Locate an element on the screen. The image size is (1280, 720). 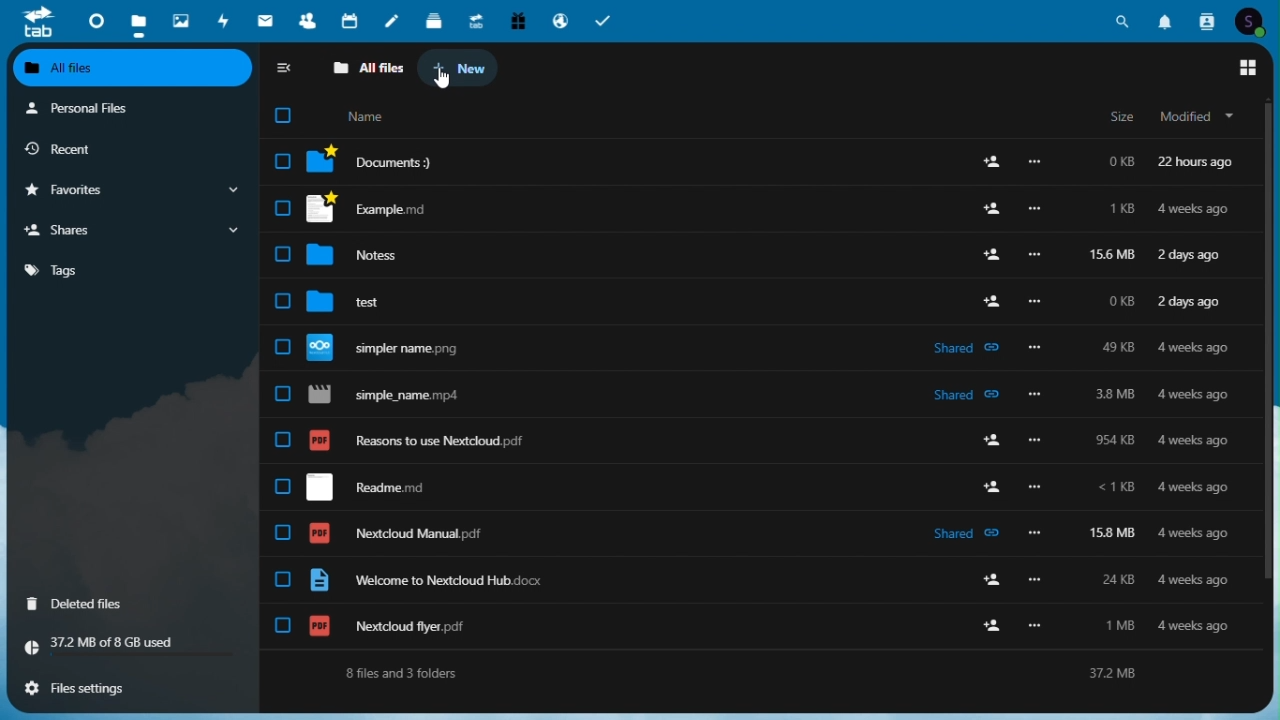
more options is located at coordinates (1034, 257).